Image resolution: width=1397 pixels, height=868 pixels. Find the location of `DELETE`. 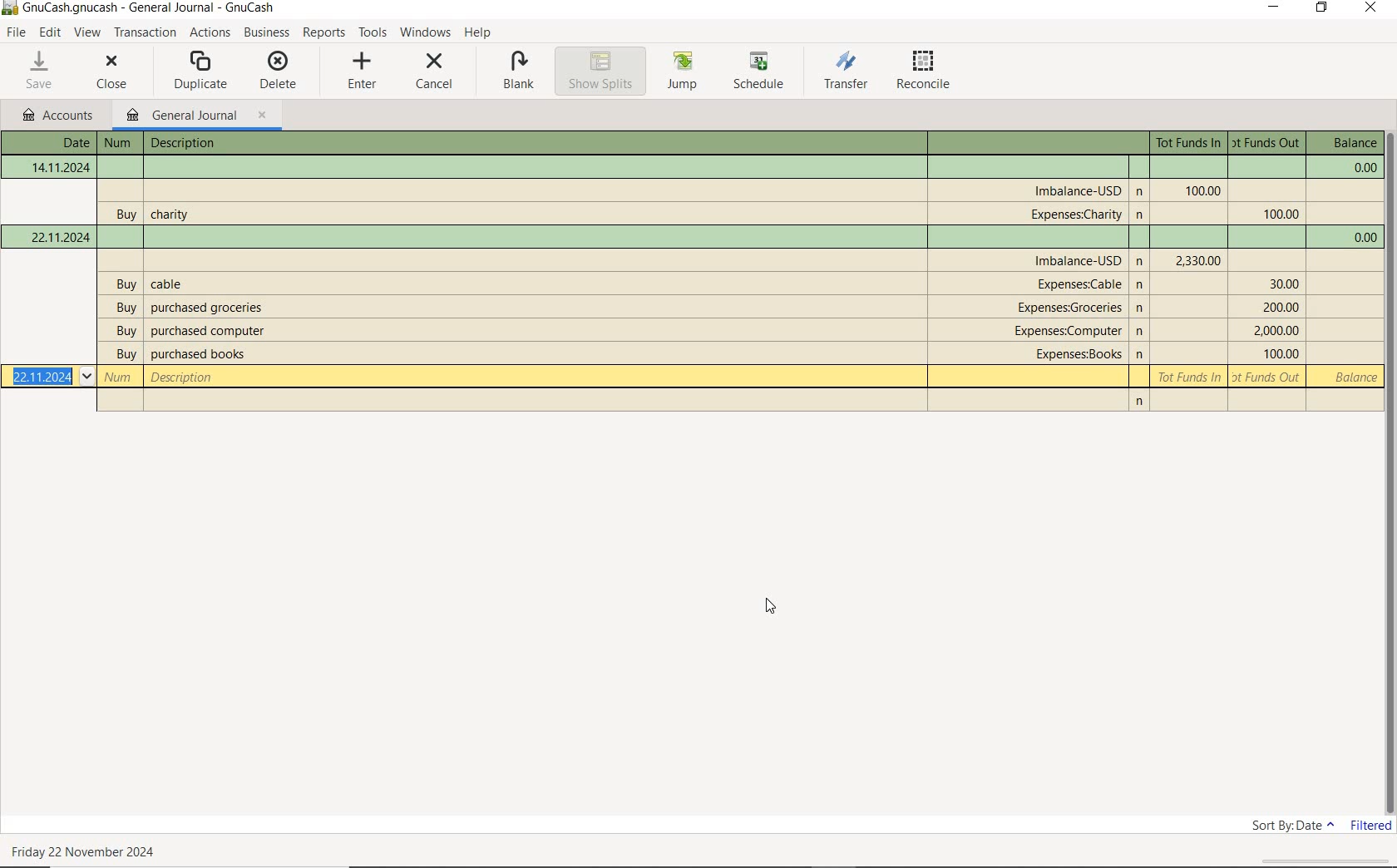

DELETE is located at coordinates (277, 70).